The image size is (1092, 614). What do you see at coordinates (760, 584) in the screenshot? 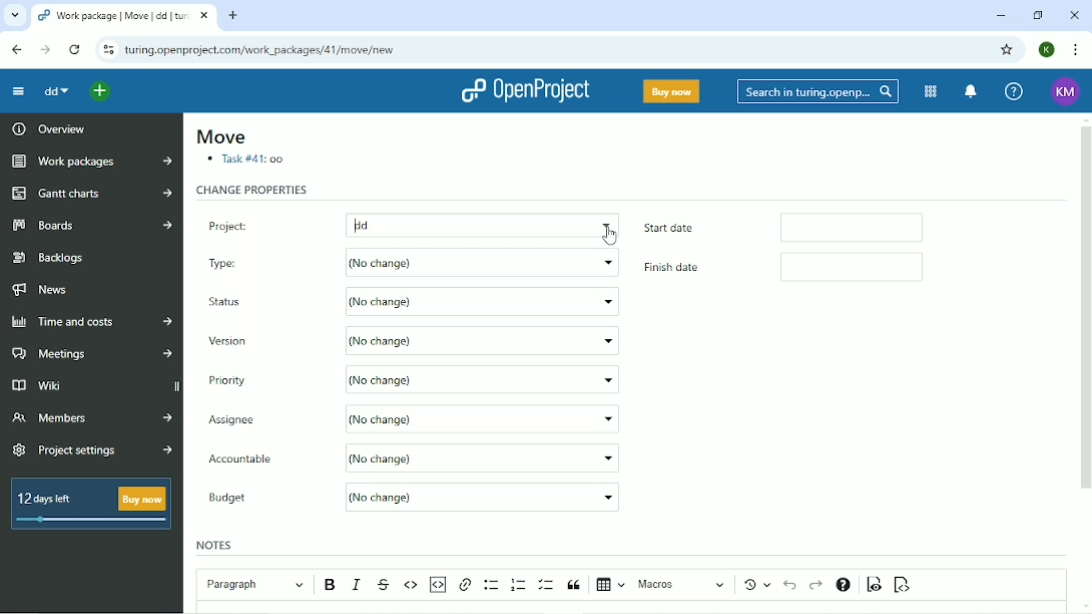
I see `Show local modifications` at bounding box center [760, 584].